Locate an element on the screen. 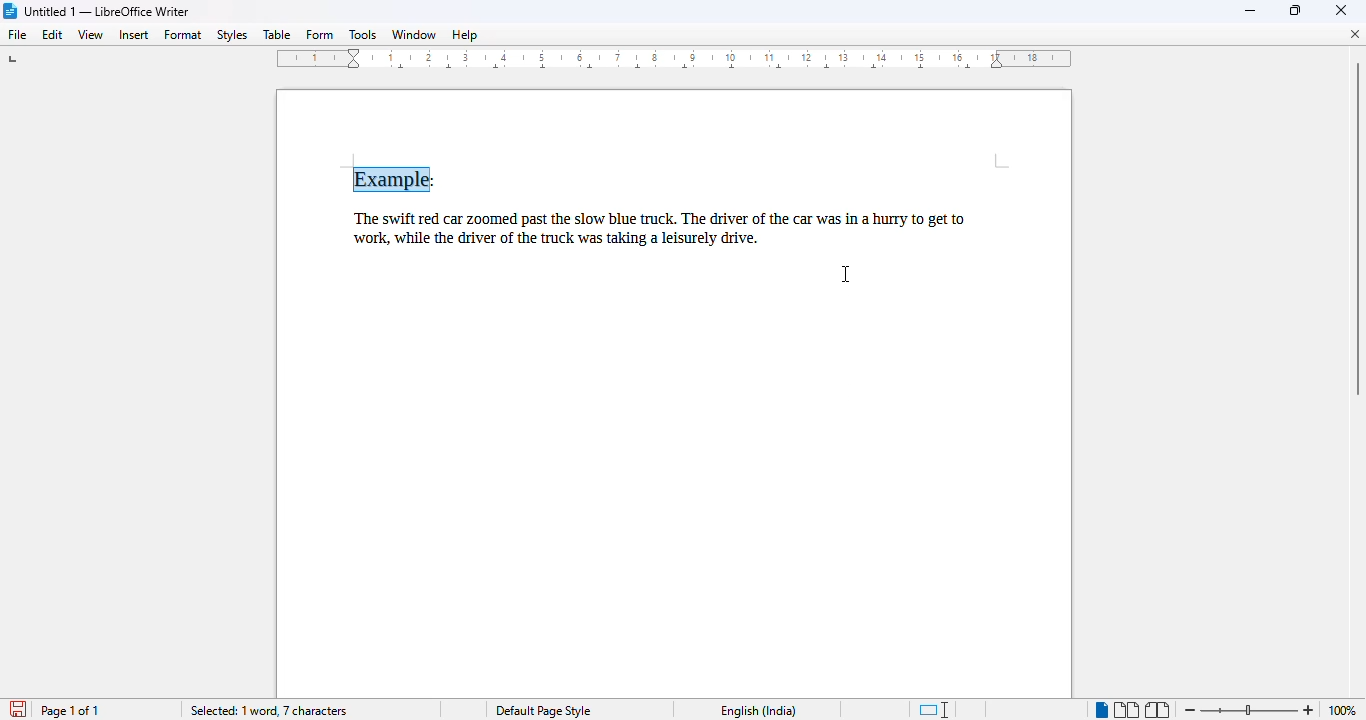  Single Page view is located at coordinates (1091, 709).